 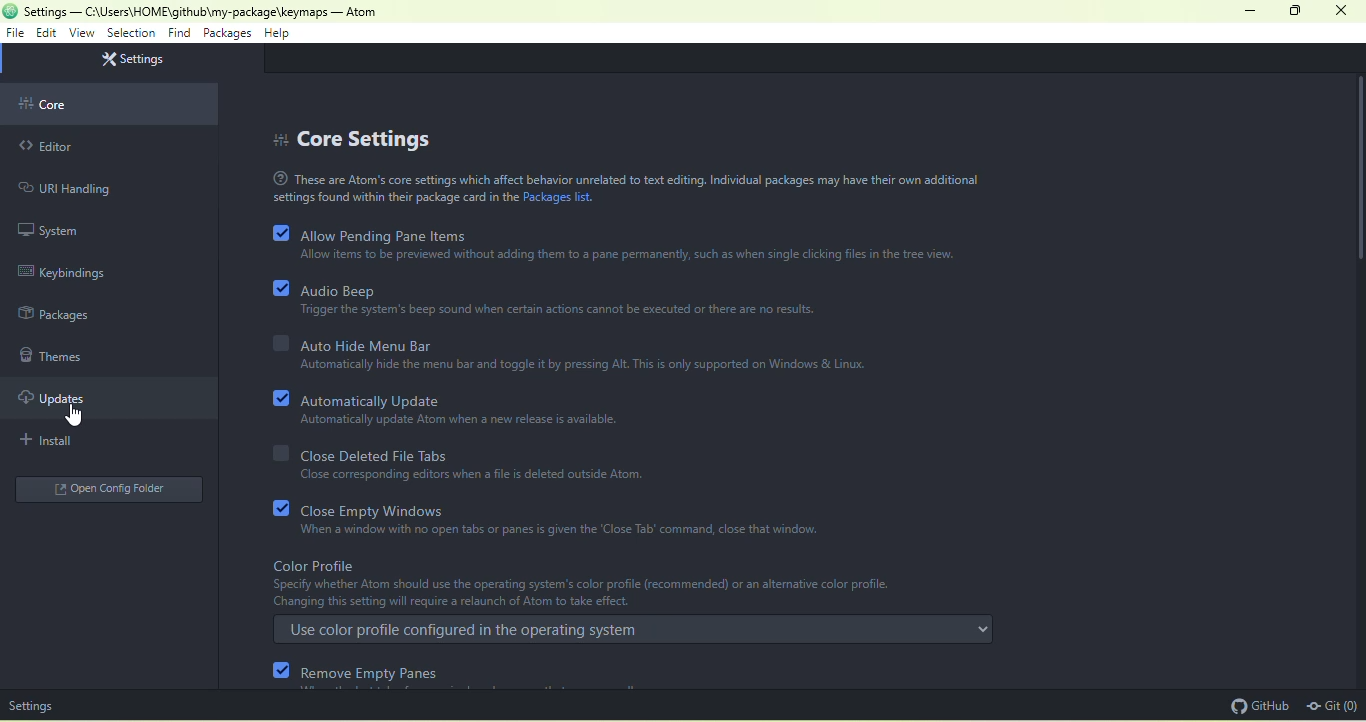 What do you see at coordinates (1249, 11) in the screenshot?
I see `minimize` at bounding box center [1249, 11].